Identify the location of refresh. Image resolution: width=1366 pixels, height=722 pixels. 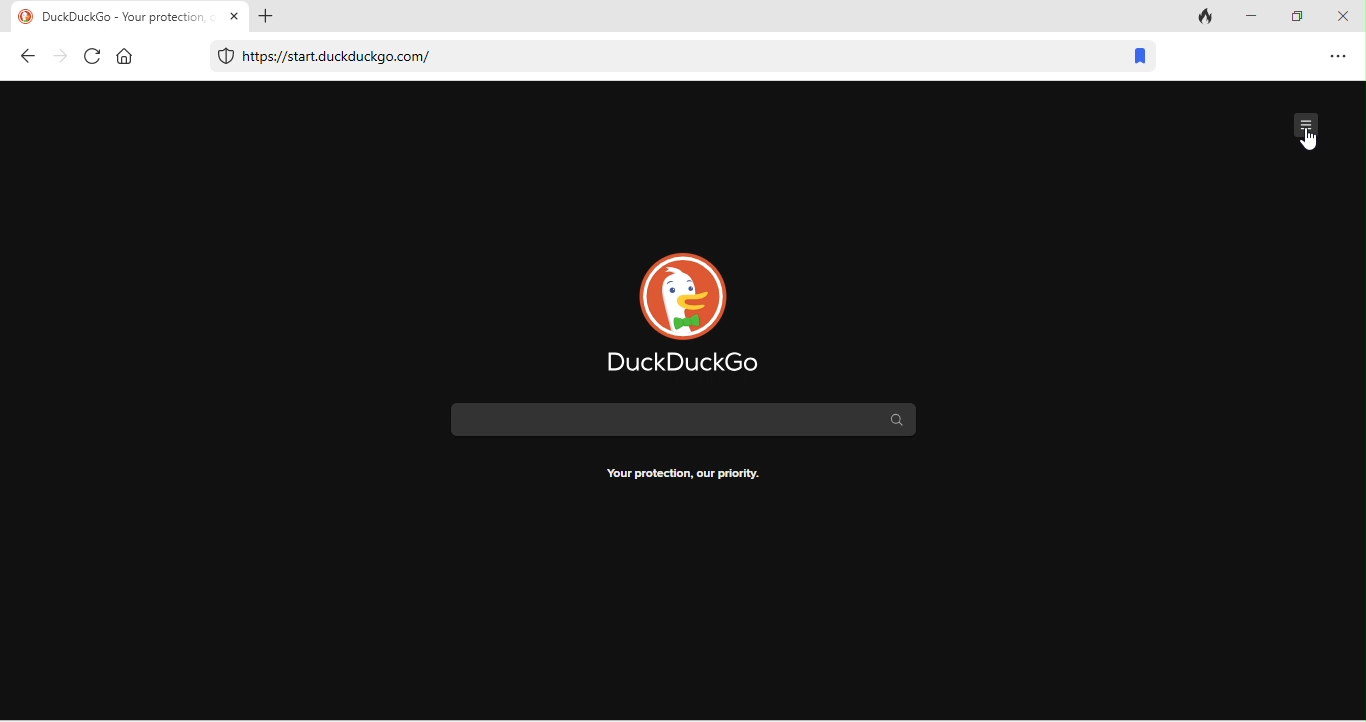
(90, 56).